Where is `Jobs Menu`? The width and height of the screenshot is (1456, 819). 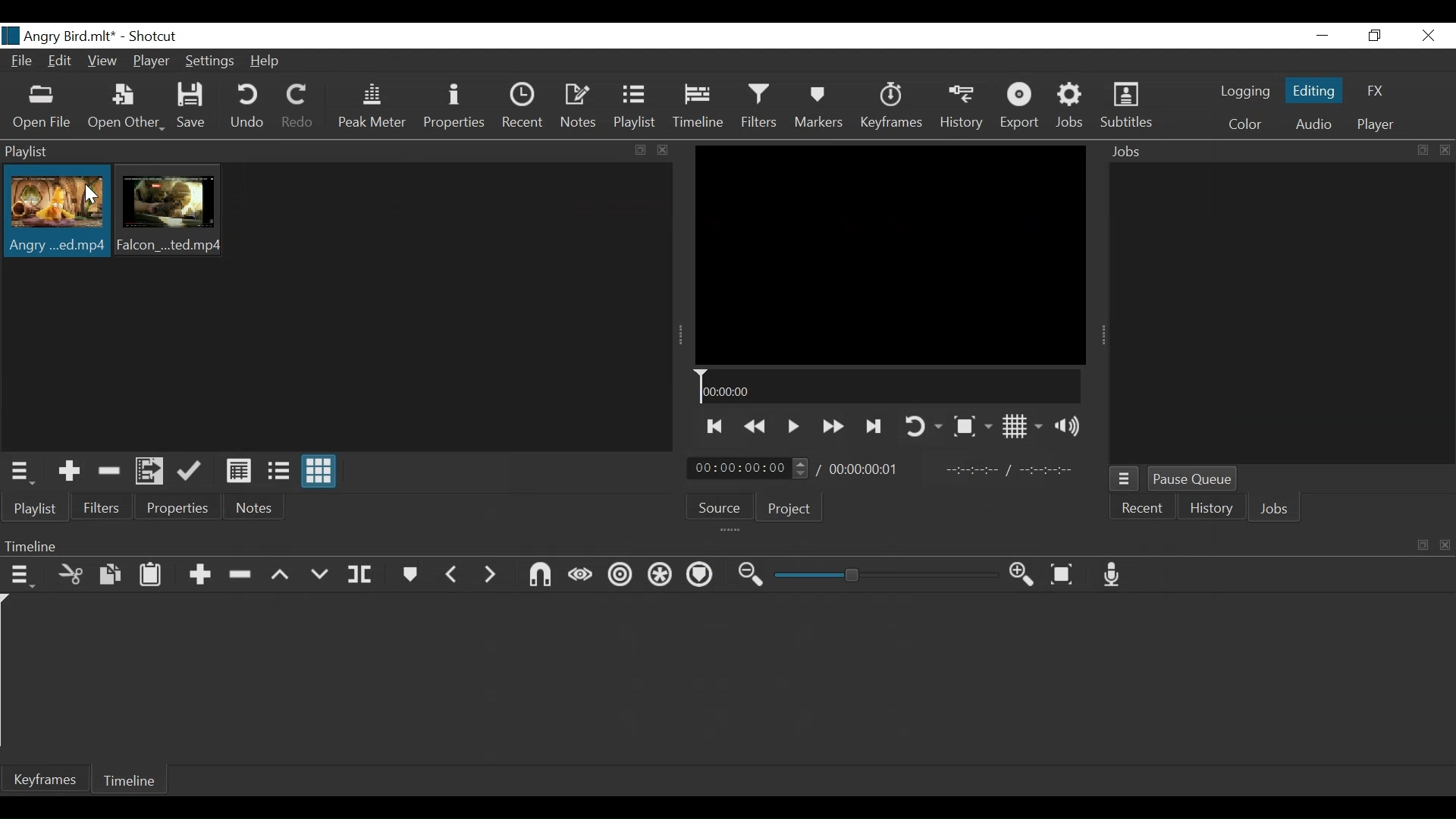 Jobs Menu is located at coordinates (1125, 479).